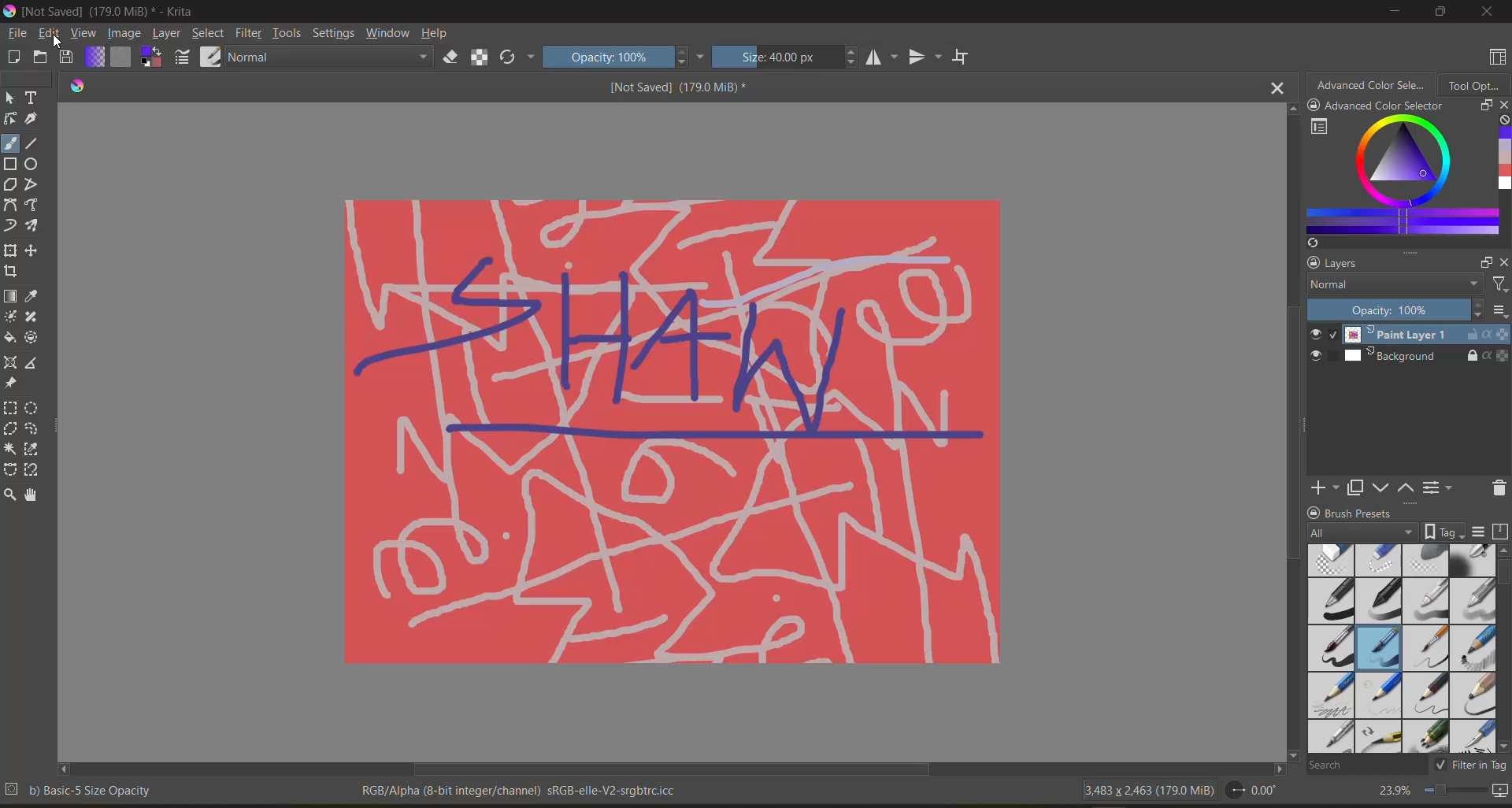 This screenshot has height=808, width=1512. Describe the element at coordinates (1146, 790) in the screenshot. I see `3,483 x 2,463 (179.0 MiB)` at that location.